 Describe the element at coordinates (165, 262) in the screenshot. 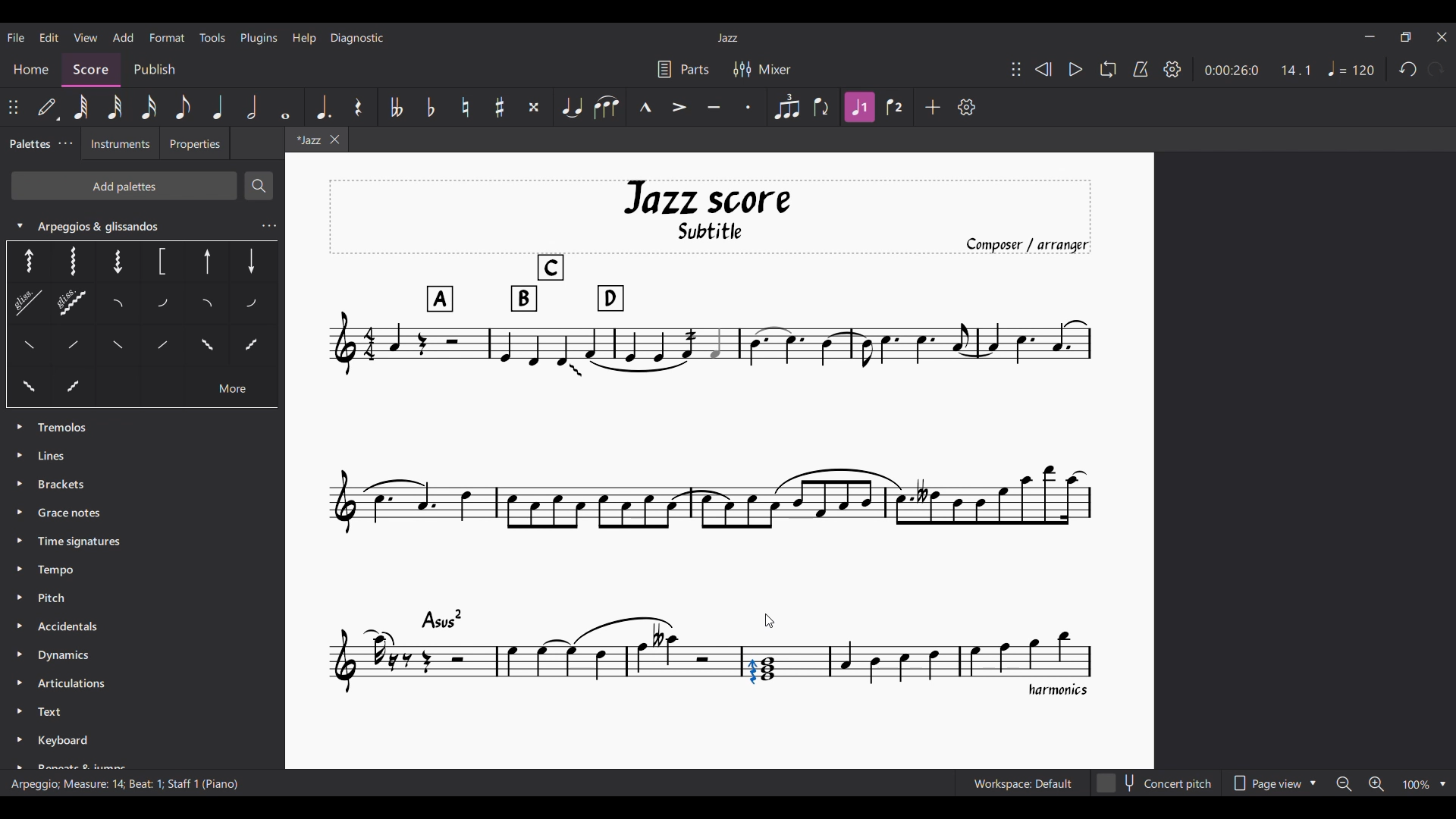

I see `` at that location.